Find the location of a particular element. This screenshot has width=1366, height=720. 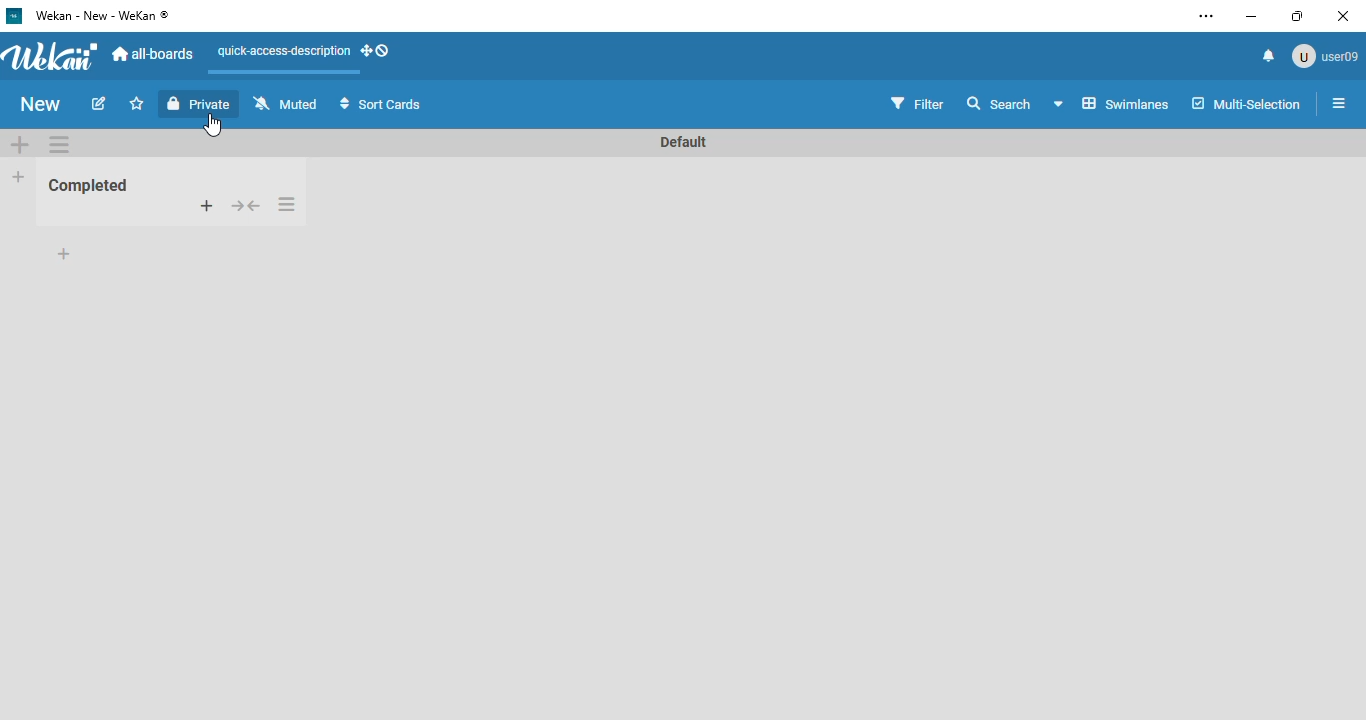

new (board name) is located at coordinates (41, 104).